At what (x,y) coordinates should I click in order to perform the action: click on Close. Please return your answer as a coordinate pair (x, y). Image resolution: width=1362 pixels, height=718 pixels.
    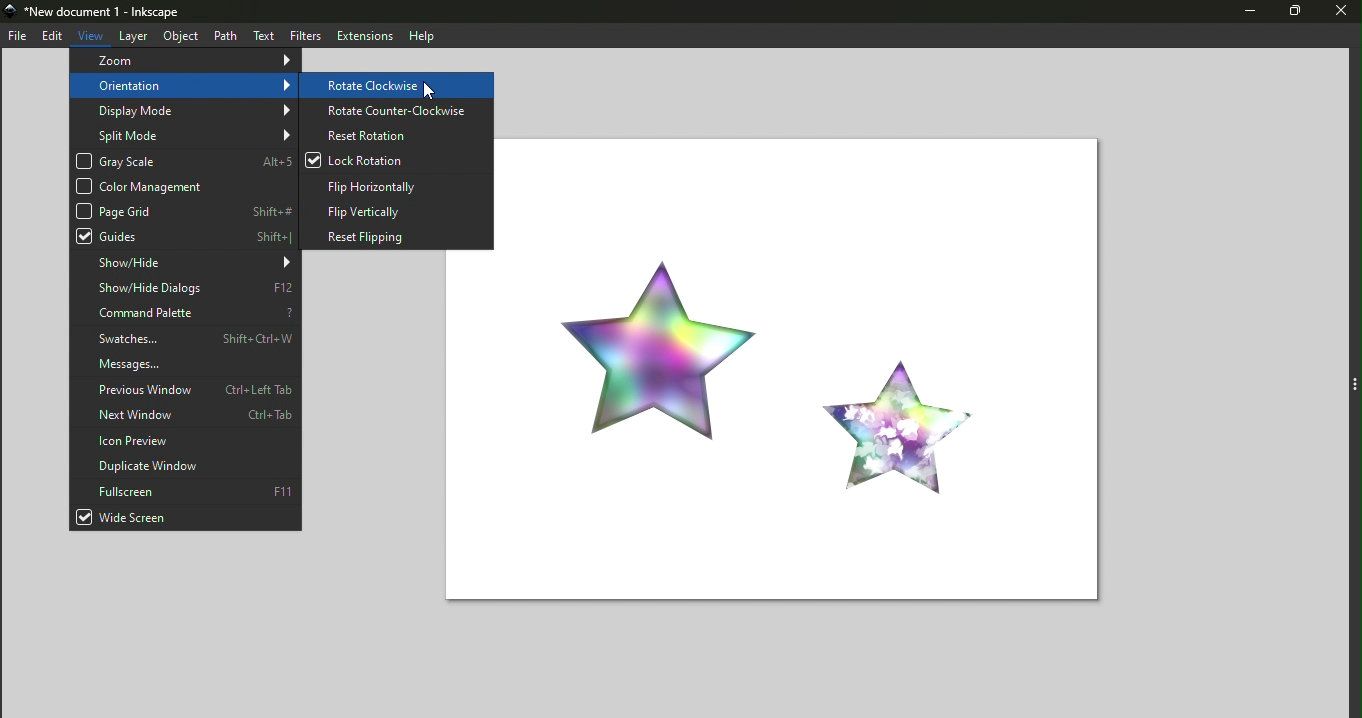
    Looking at the image, I should click on (1339, 13).